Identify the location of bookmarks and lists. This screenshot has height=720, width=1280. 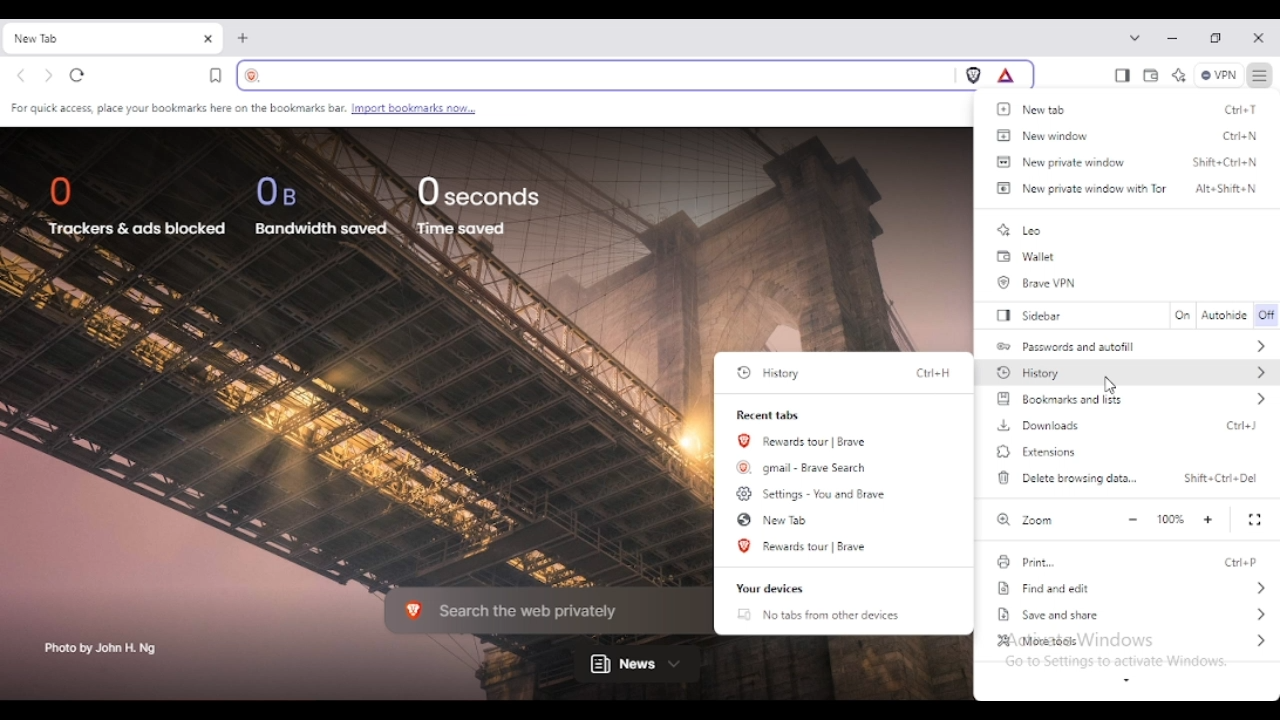
(1132, 399).